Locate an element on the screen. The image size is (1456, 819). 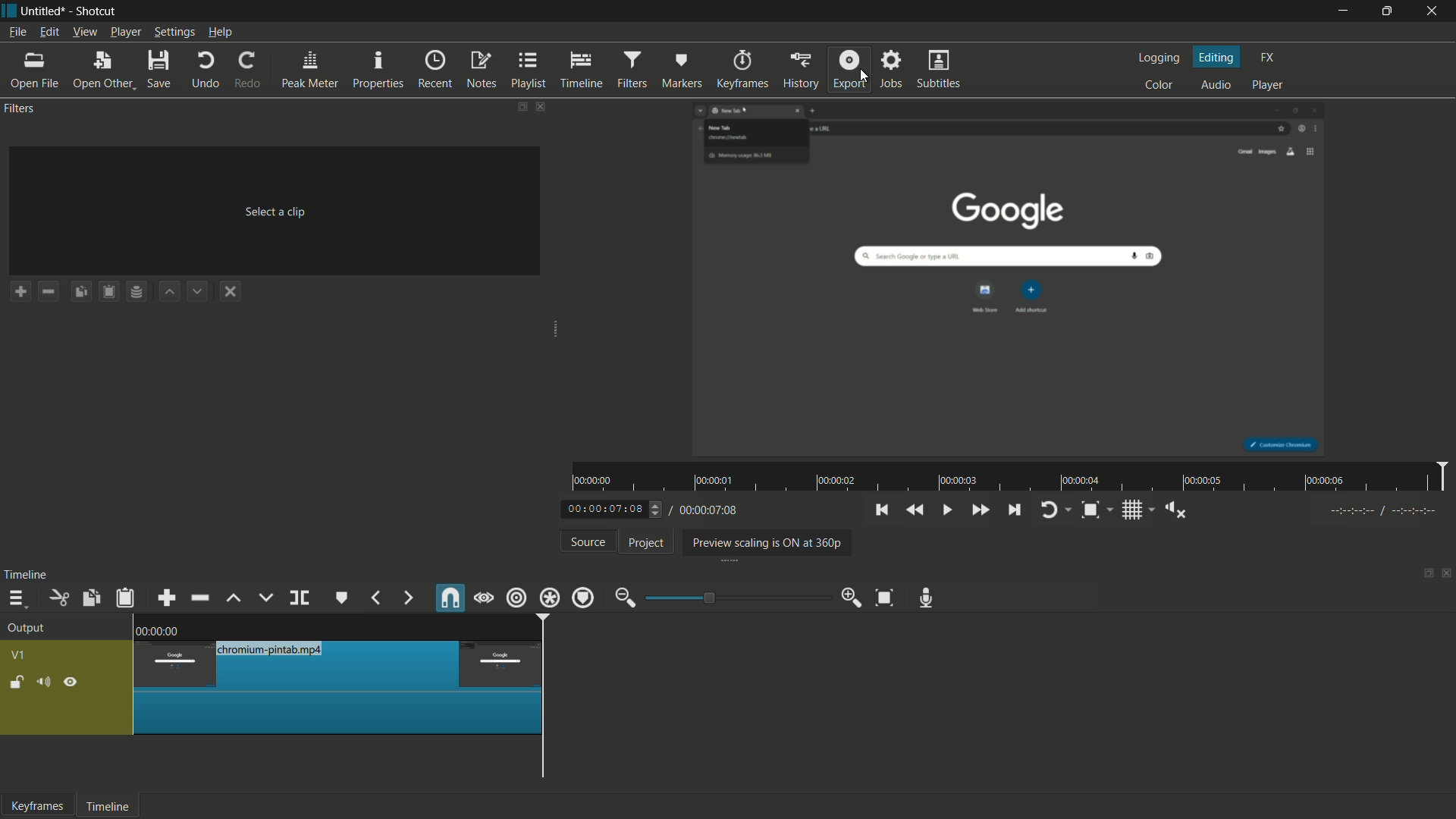
peak meter is located at coordinates (309, 71).